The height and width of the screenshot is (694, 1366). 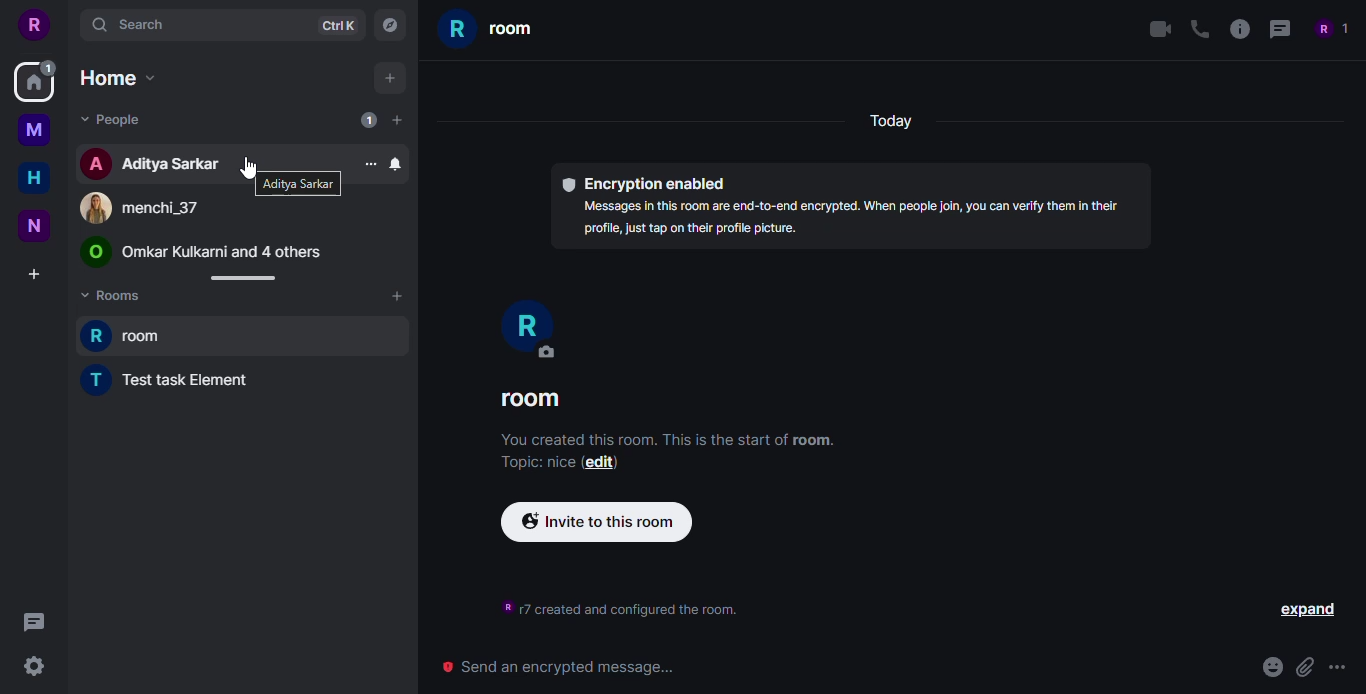 I want to click on home, so click(x=118, y=78).